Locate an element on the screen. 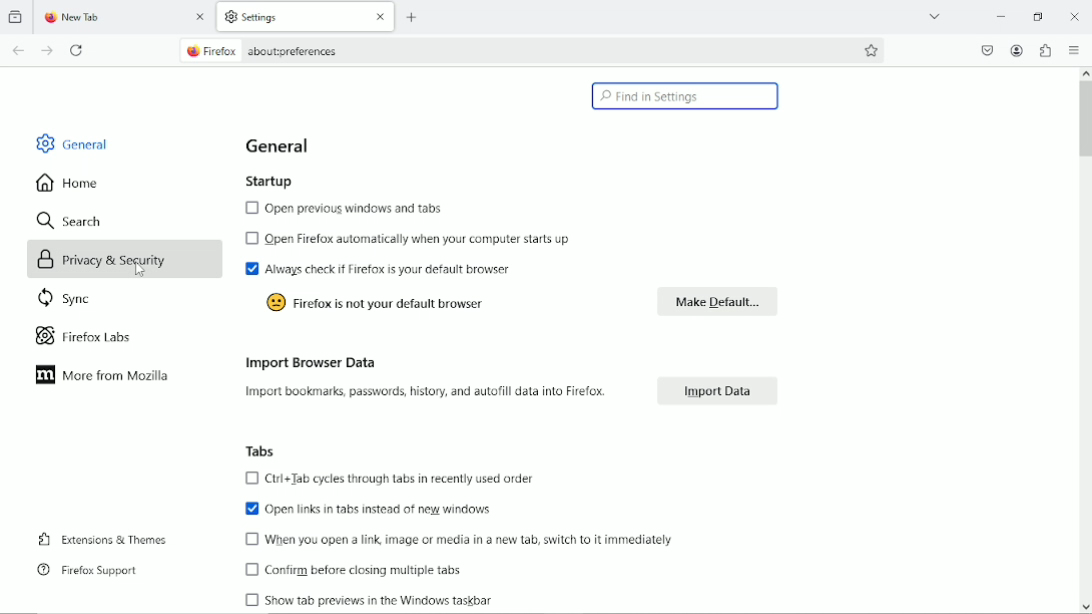 Image resolution: width=1092 pixels, height=614 pixels. startup is located at coordinates (270, 181).